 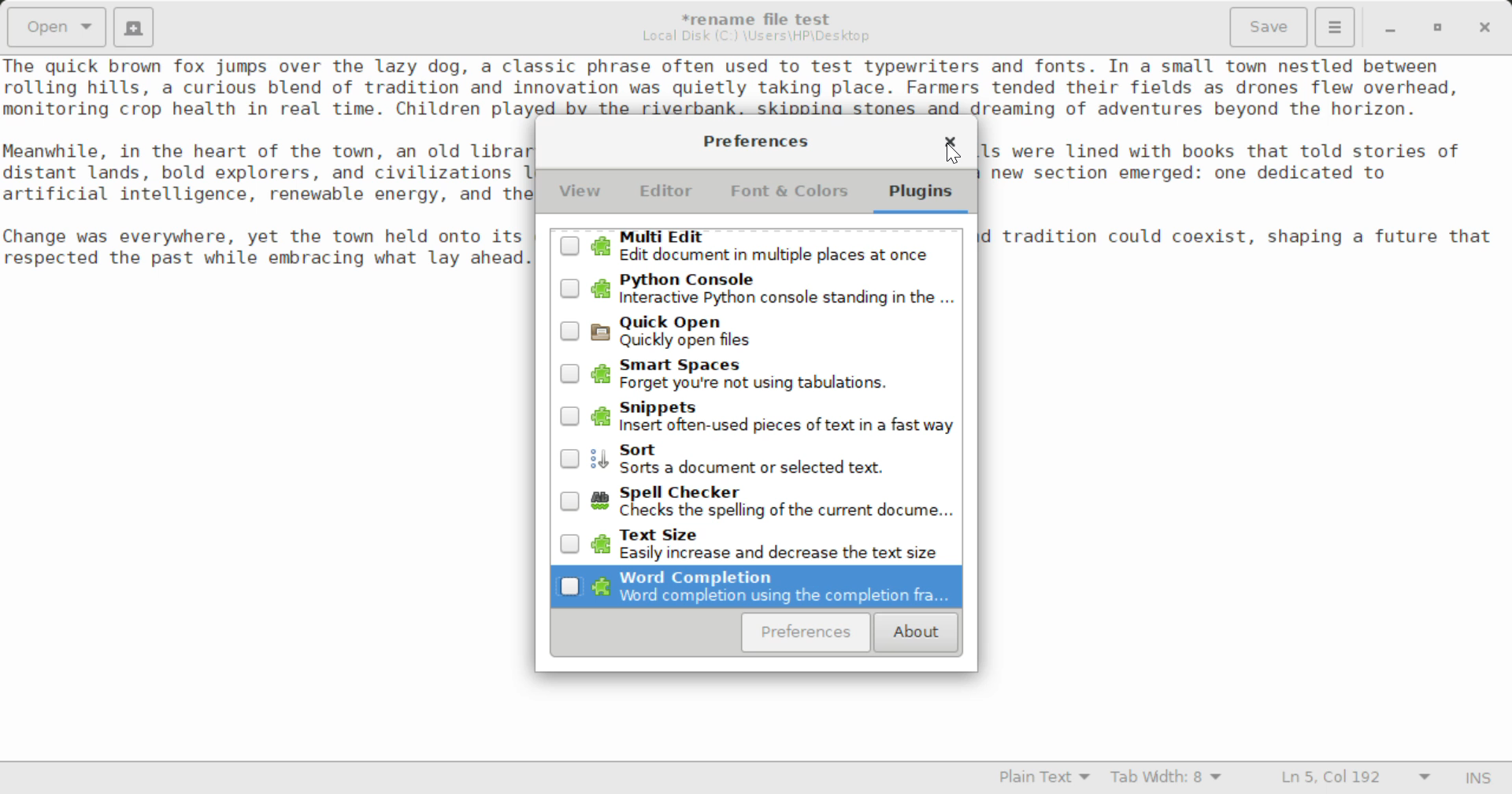 What do you see at coordinates (1388, 28) in the screenshot?
I see `Restore Down` at bounding box center [1388, 28].